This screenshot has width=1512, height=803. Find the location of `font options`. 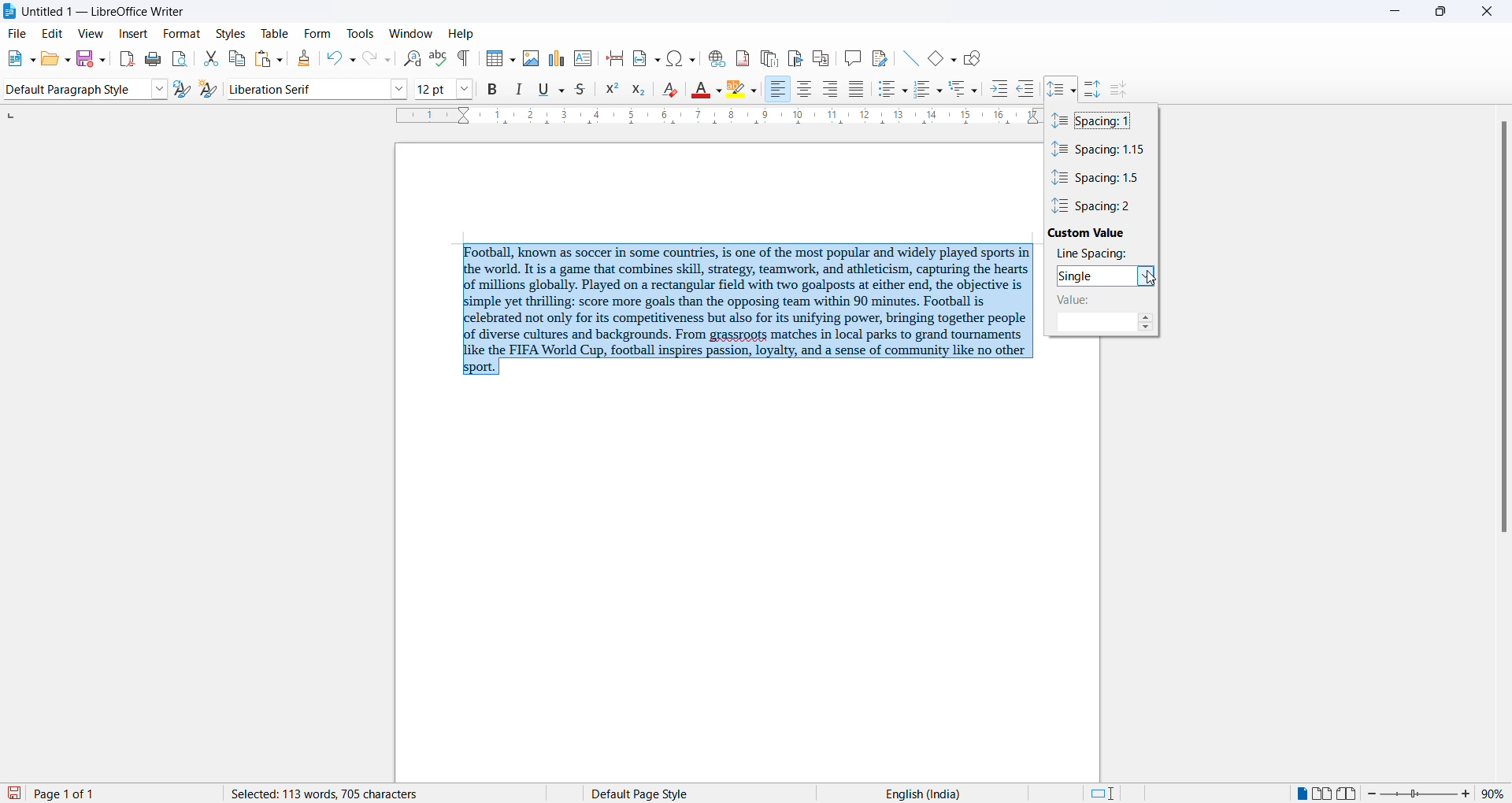

font options is located at coordinates (399, 88).